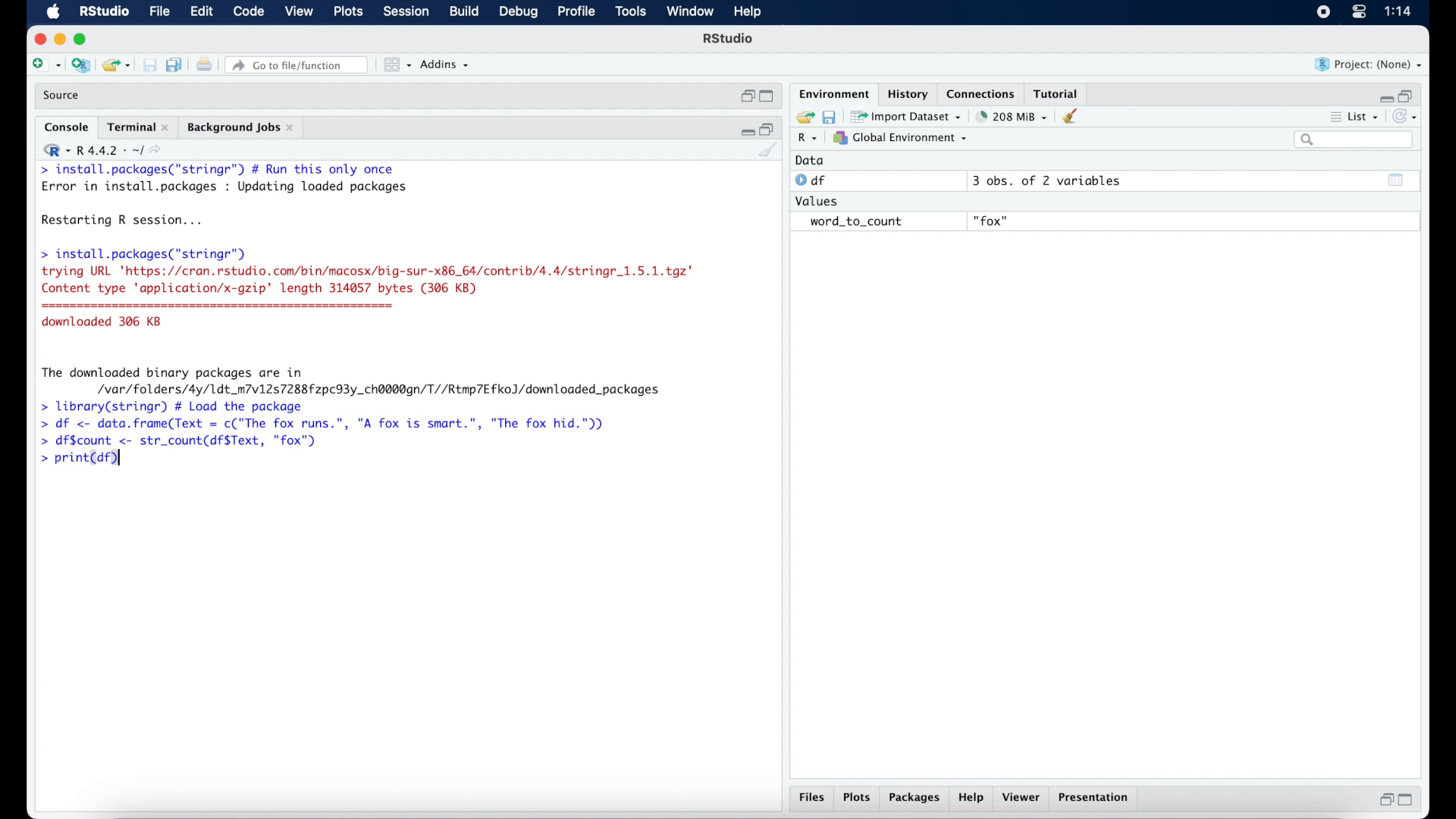 This screenshot has width=1456, height=819. Describe the element at coordinates (810, 160) in the screenshot. I see `data` at that location.